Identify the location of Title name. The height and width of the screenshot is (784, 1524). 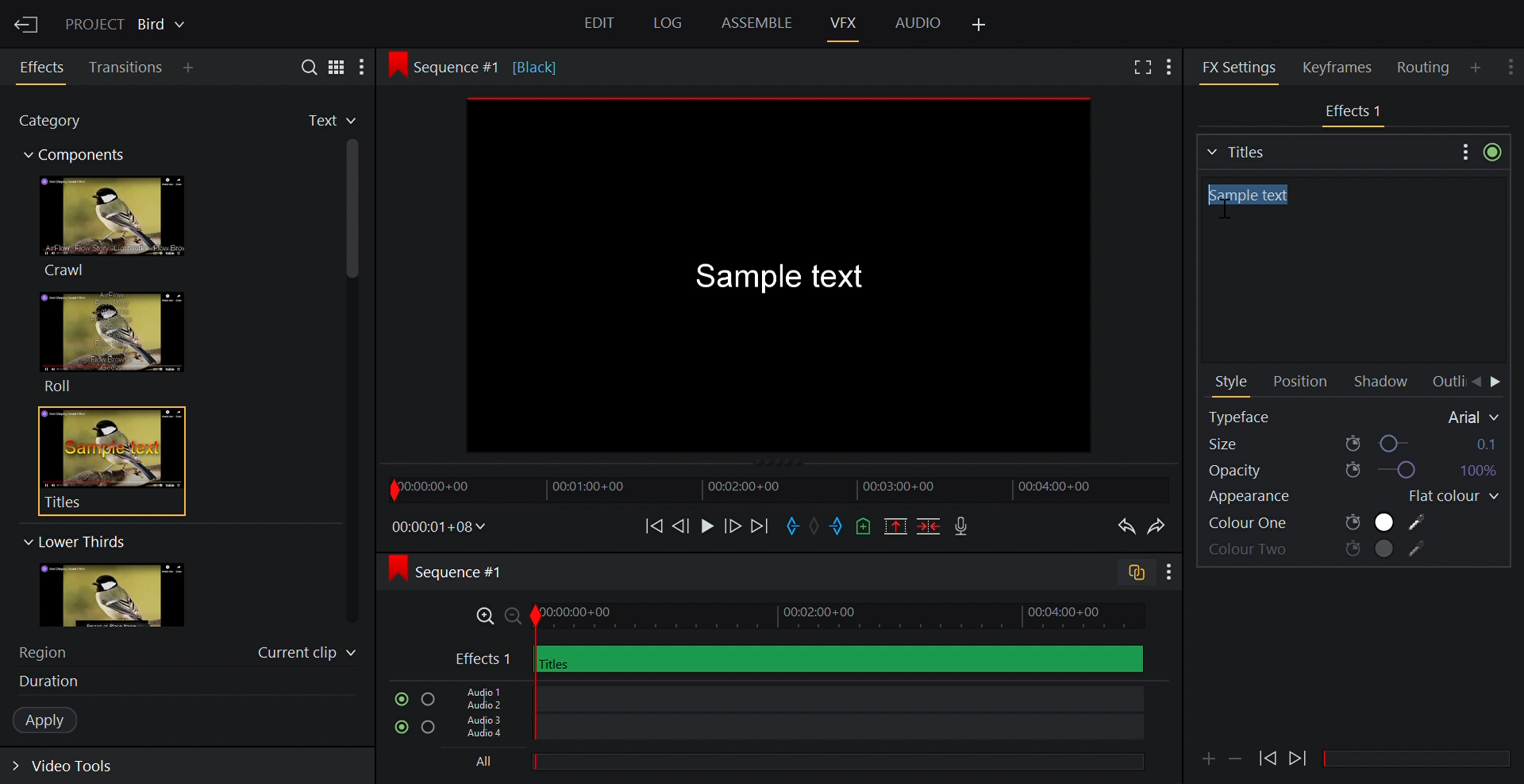
(1349, 271).